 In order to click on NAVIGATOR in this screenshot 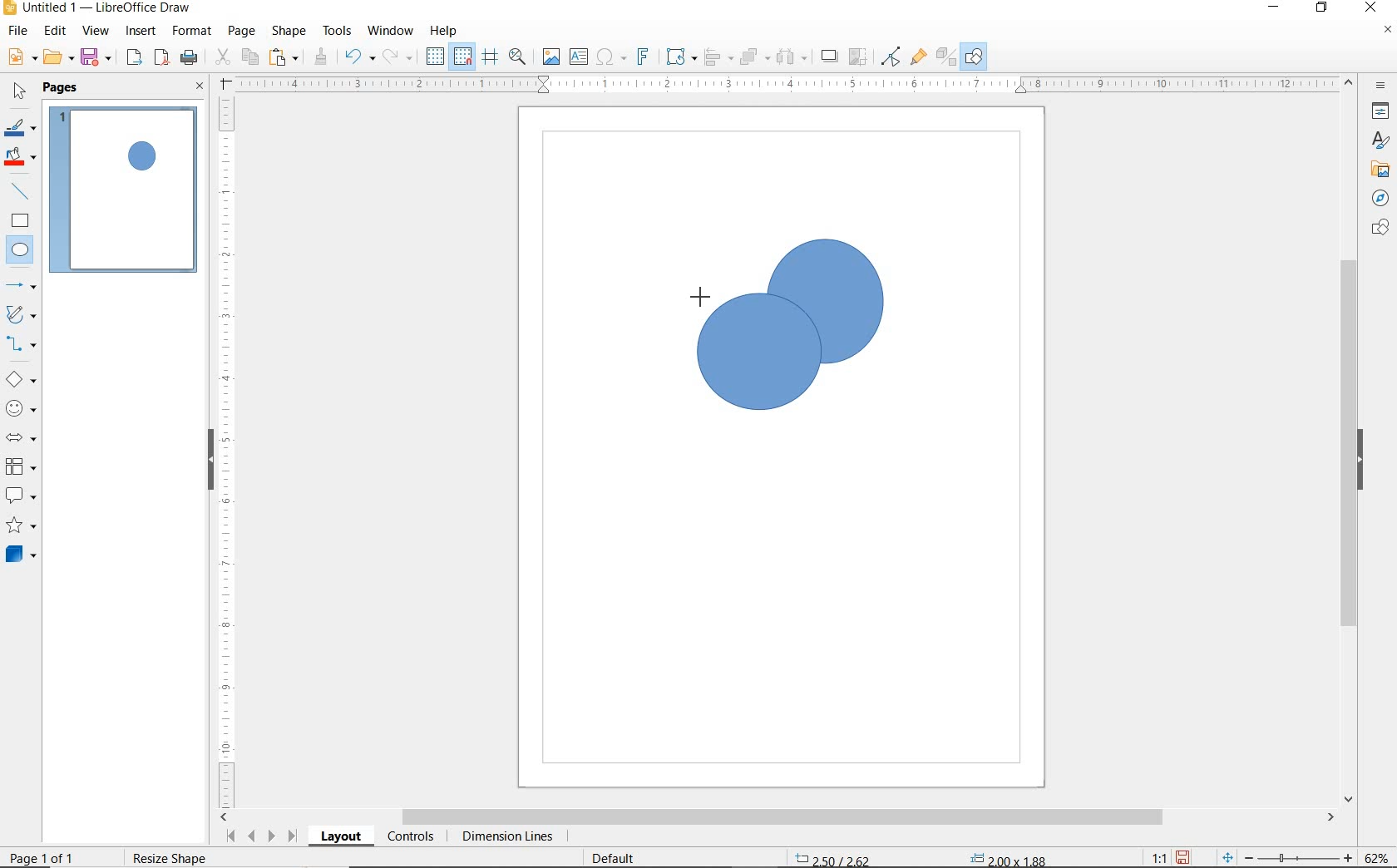, I will do `click(1375, 199)`.